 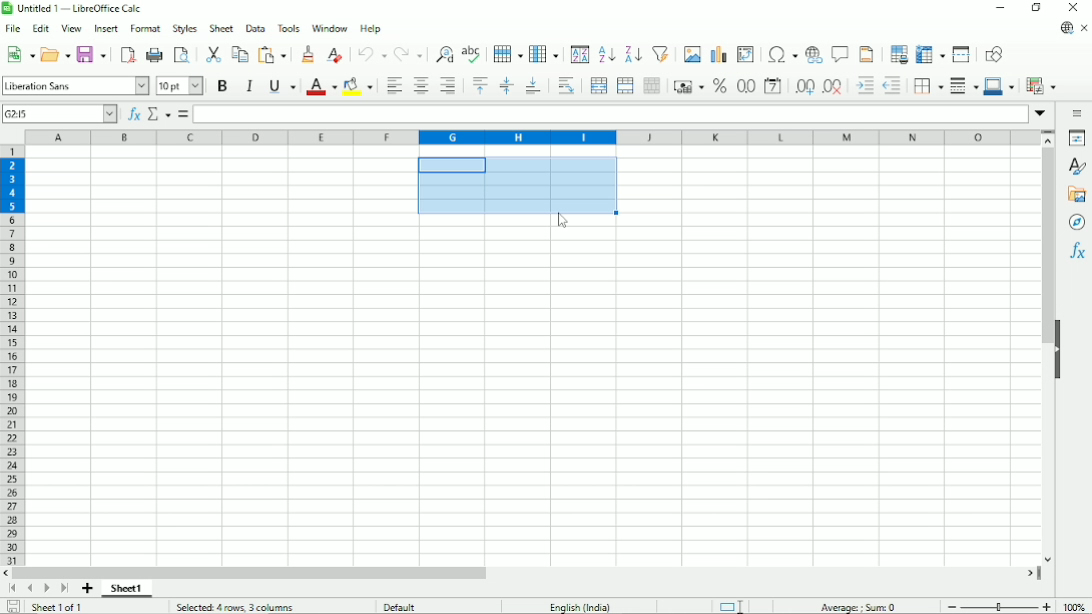 What do you see at coordinates (833, 88) in the screenshot?
I see `Delete decimal place` at bounding box center [833, 88].